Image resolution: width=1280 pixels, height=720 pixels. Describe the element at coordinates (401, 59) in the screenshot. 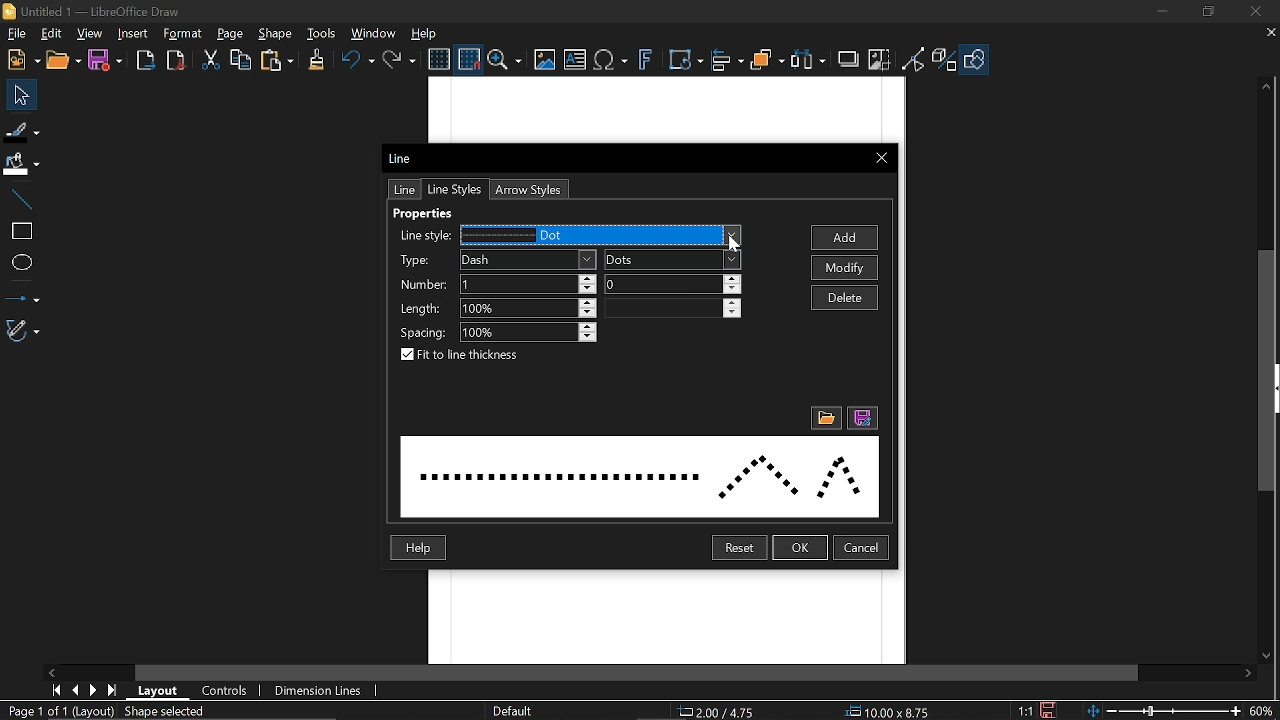

I see `Redo` at that location.